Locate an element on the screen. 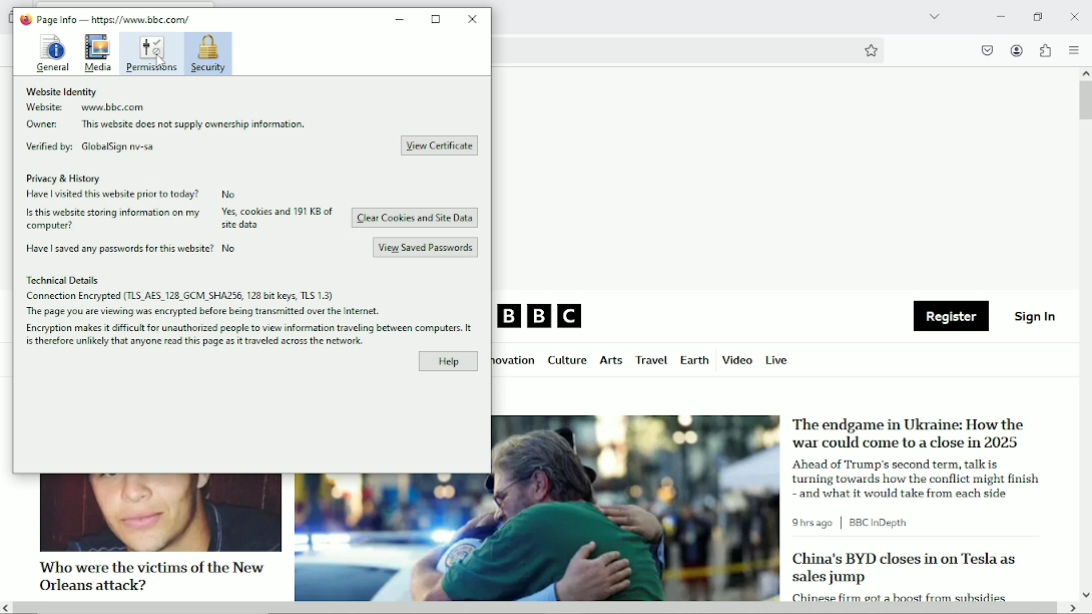  close is located at coordinates (1074, 15).